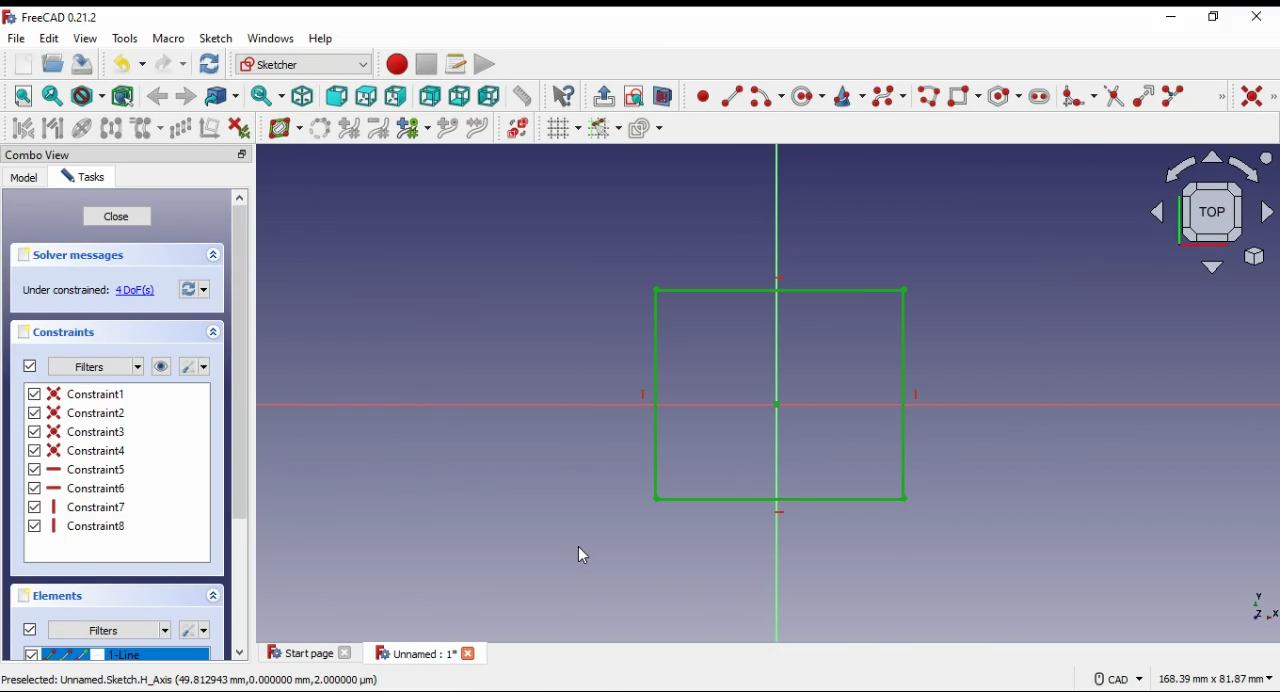  Describe the element at coordinates (662, 96) in the screenshot. I see `view selection` at that location.